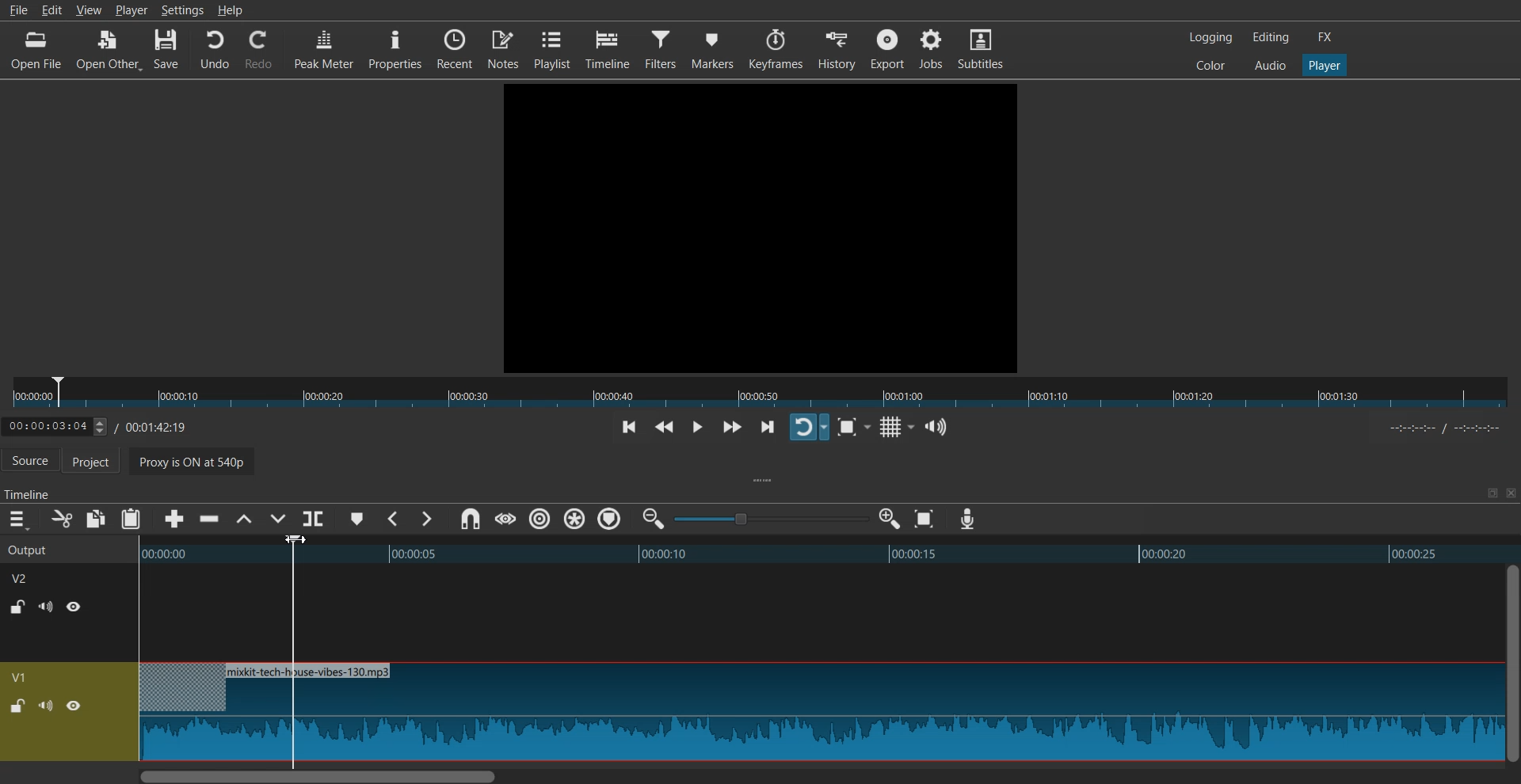  What do you see at coordinates (108, 424) in the screenshot?
I see `Timeline` at bounding box center [108, 424].